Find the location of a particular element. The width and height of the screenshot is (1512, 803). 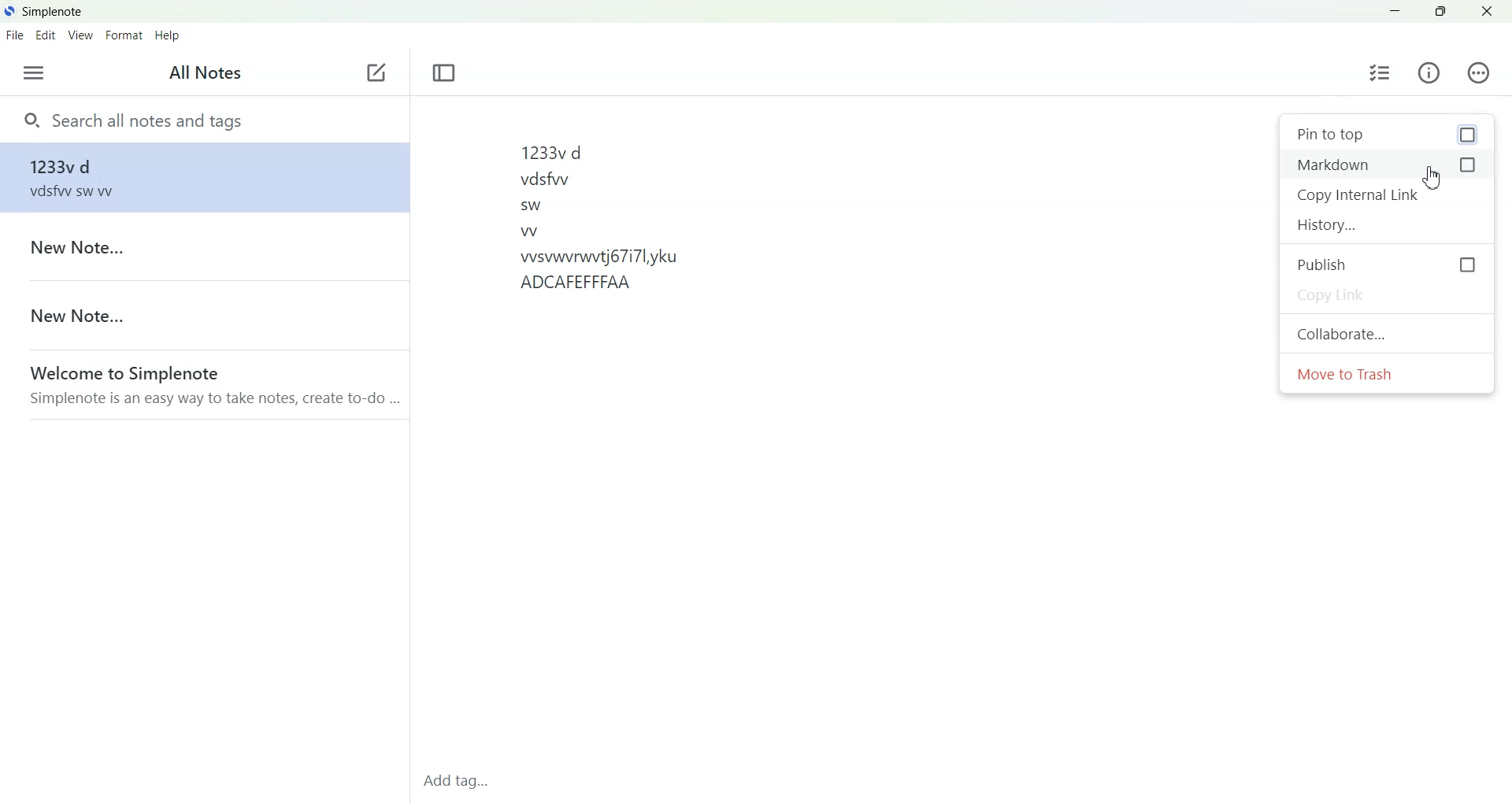

Pin to top checkbox is located at coordinates (1386, 134).